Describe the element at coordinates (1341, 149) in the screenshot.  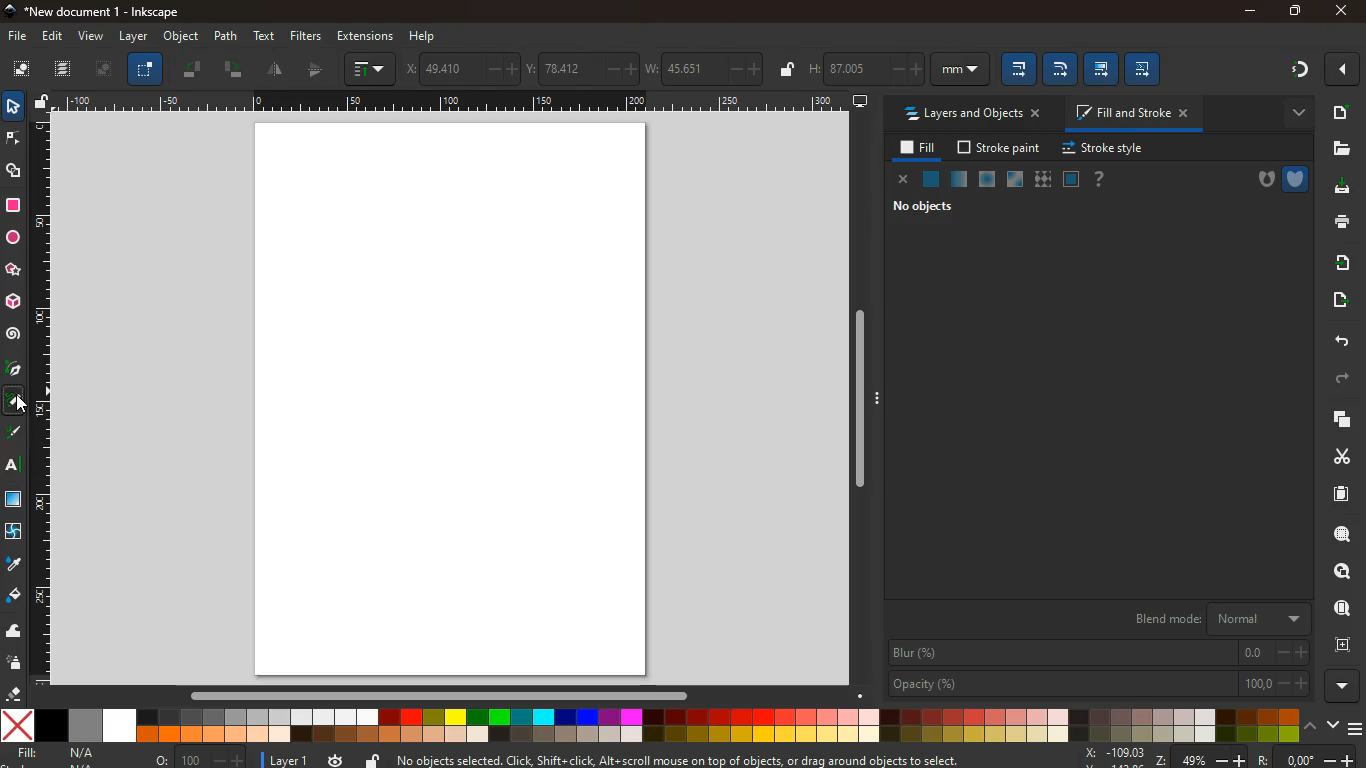
I see `files` at that location.